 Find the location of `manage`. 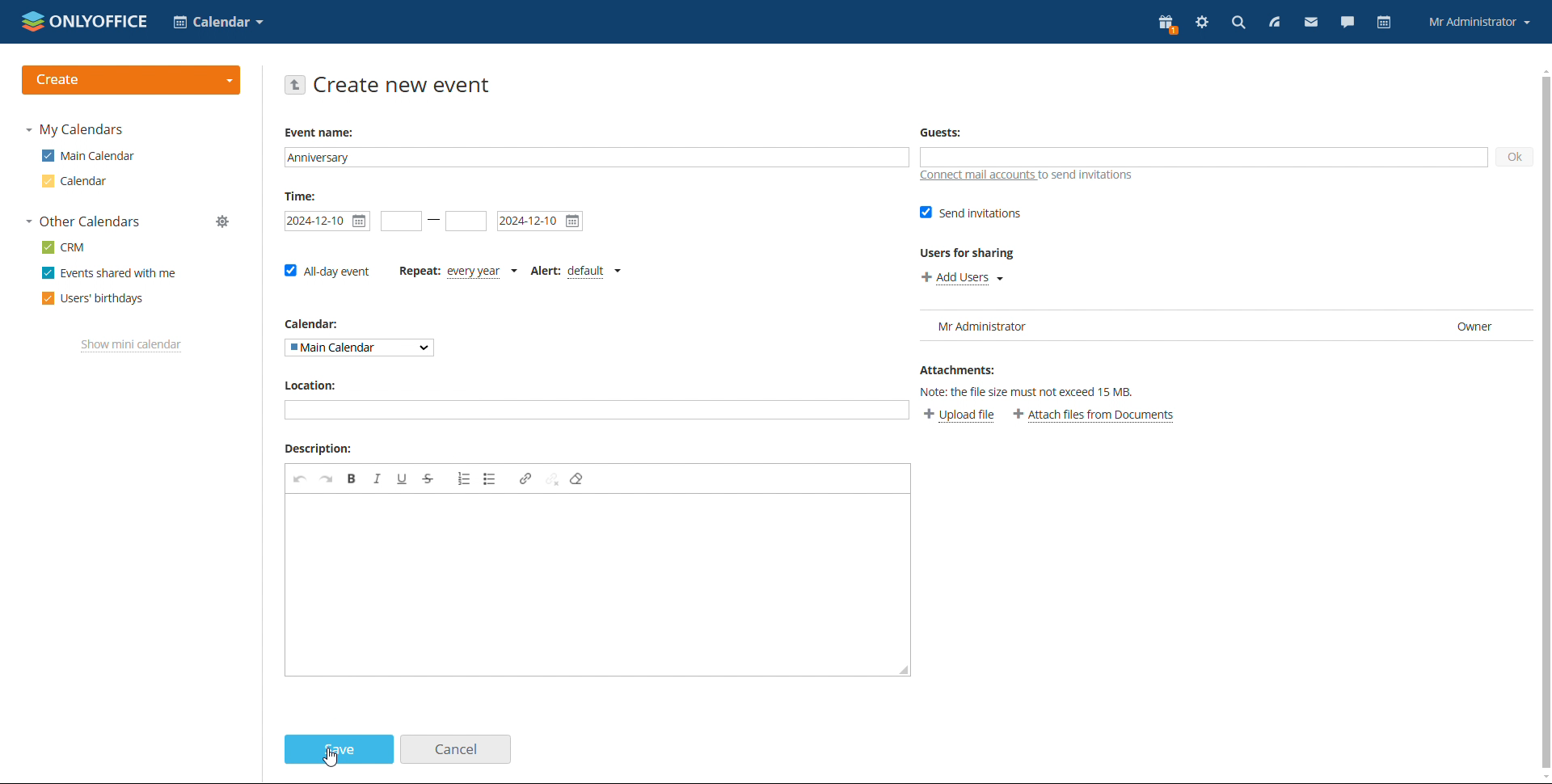

manage is located at coordinates (223, 221).